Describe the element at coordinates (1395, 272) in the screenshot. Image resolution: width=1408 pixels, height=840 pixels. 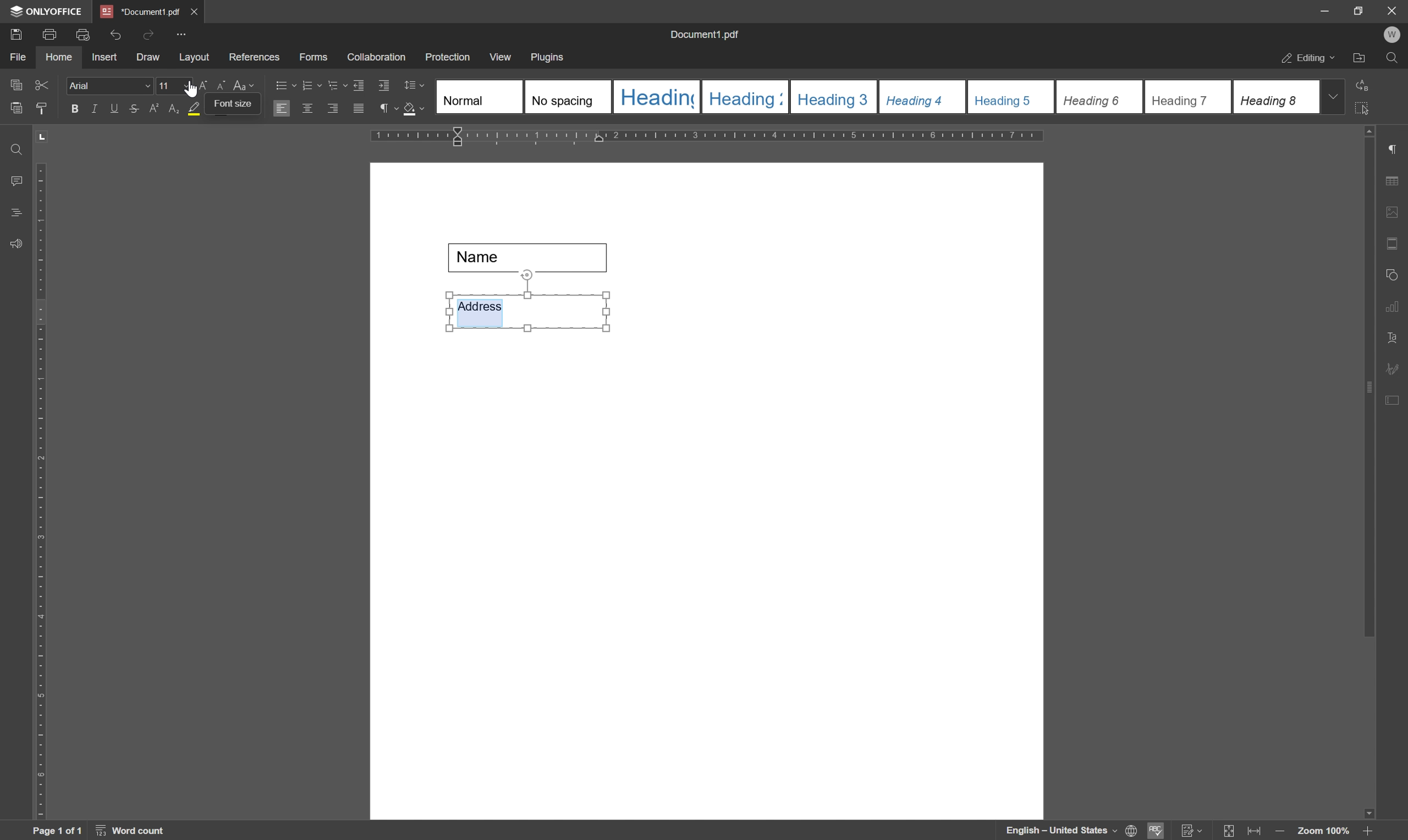
I see `shape` at that location.